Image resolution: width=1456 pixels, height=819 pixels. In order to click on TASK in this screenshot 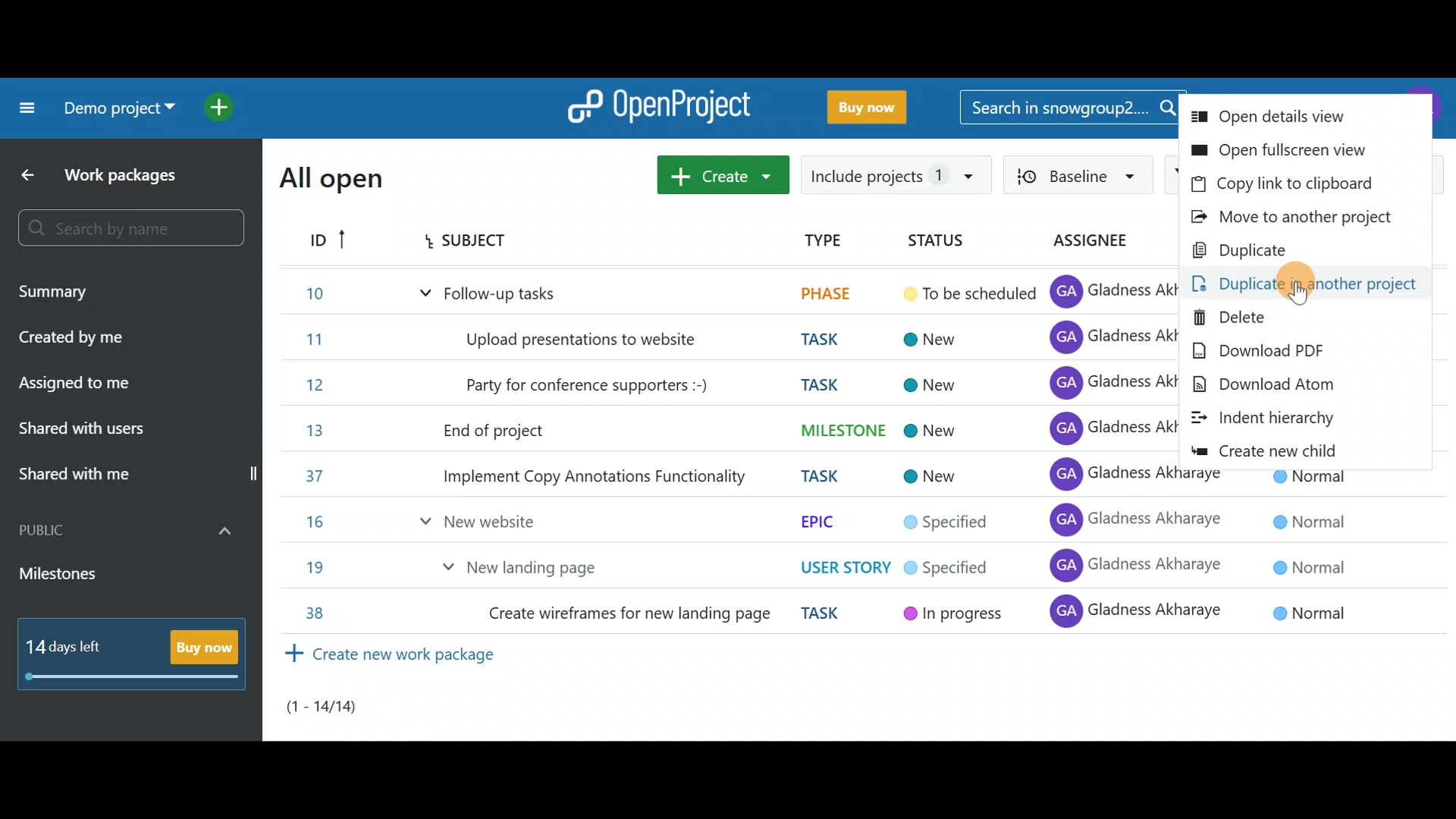, I will do `click(828, 475)`.